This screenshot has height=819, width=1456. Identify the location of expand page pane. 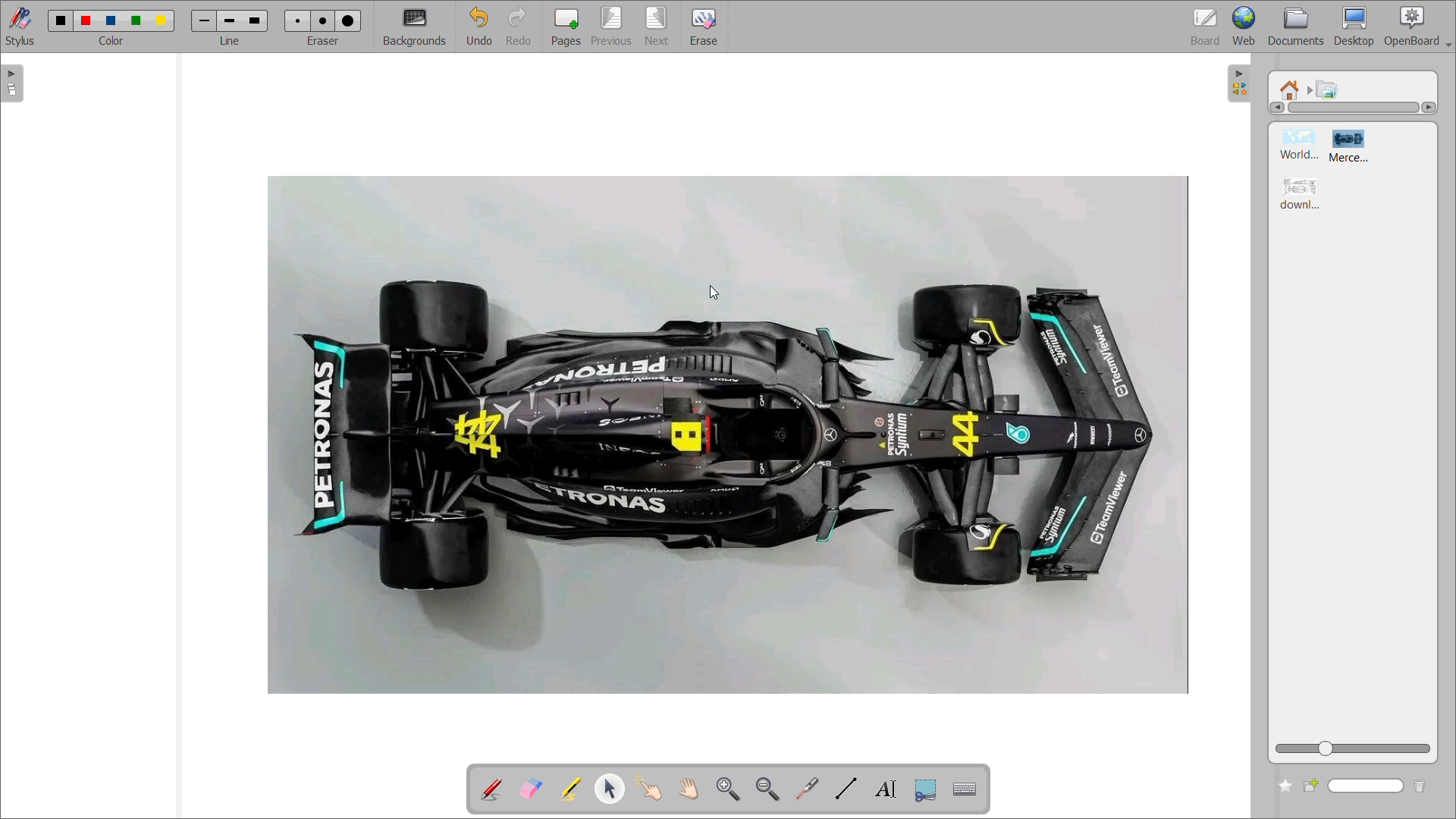
(13, 86).